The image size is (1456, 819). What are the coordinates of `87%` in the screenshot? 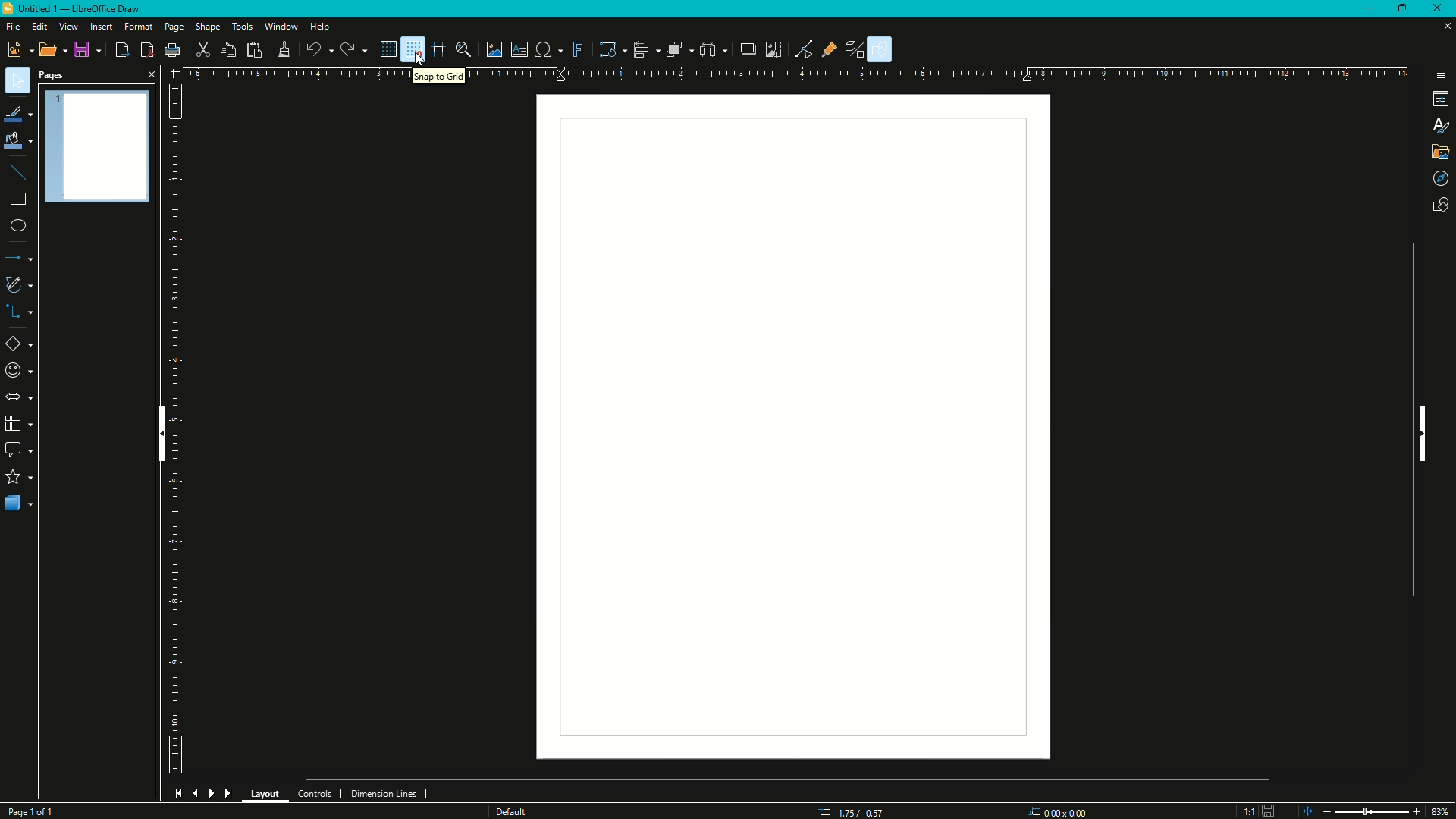 It's located at (1444, 809).